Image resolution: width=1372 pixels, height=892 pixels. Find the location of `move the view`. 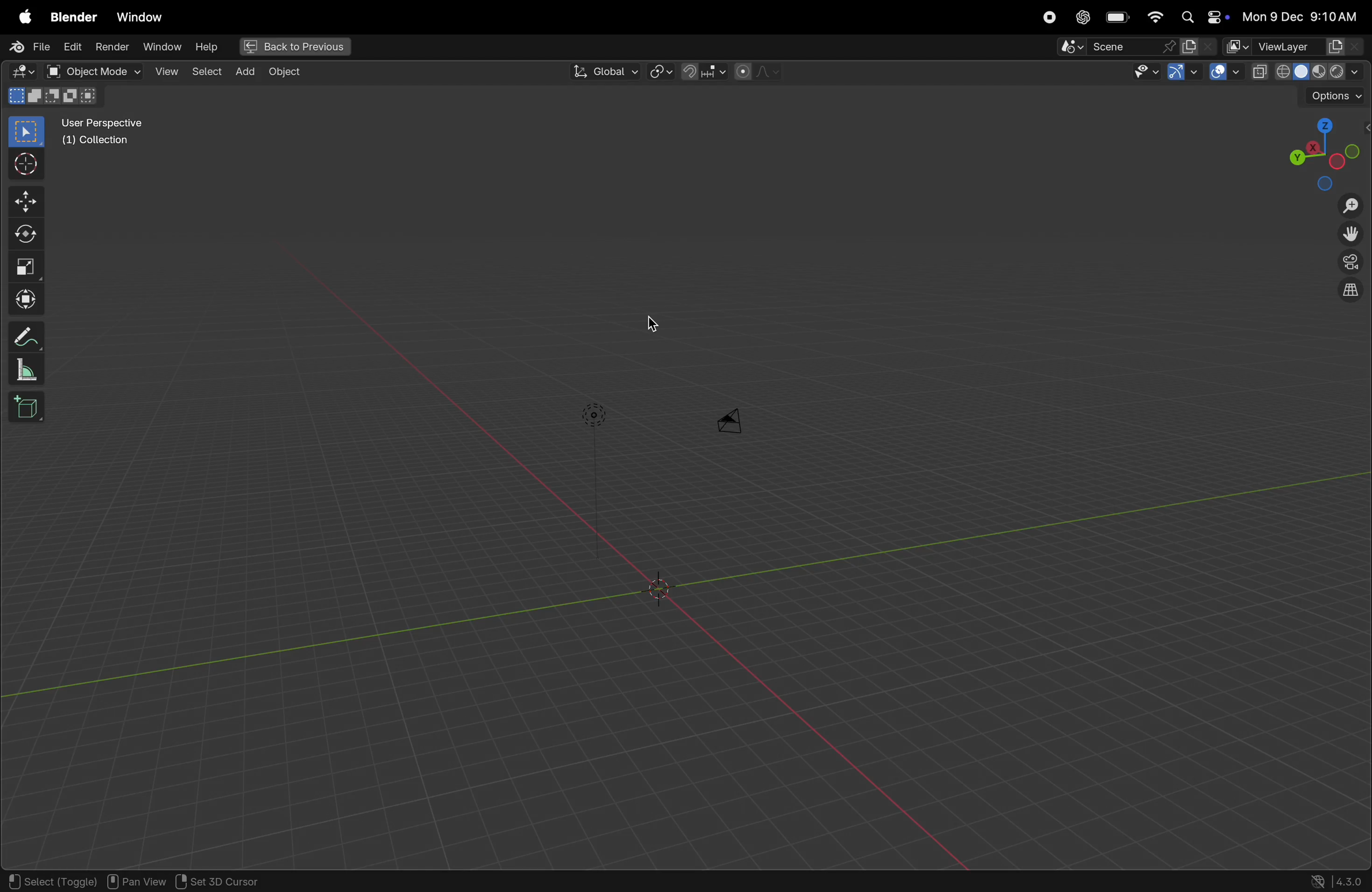

move the view is located at coordinates (1348, 235).